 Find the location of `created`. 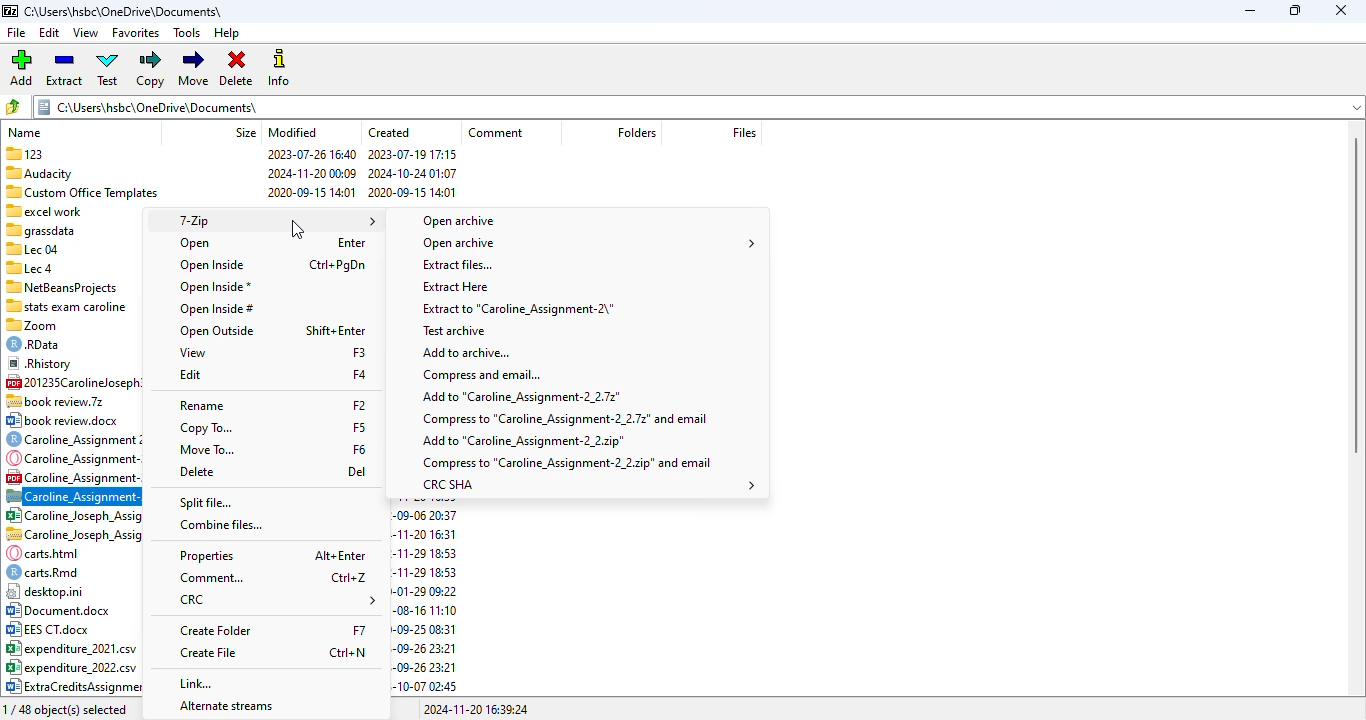

created is located at coordinates (389, 132).